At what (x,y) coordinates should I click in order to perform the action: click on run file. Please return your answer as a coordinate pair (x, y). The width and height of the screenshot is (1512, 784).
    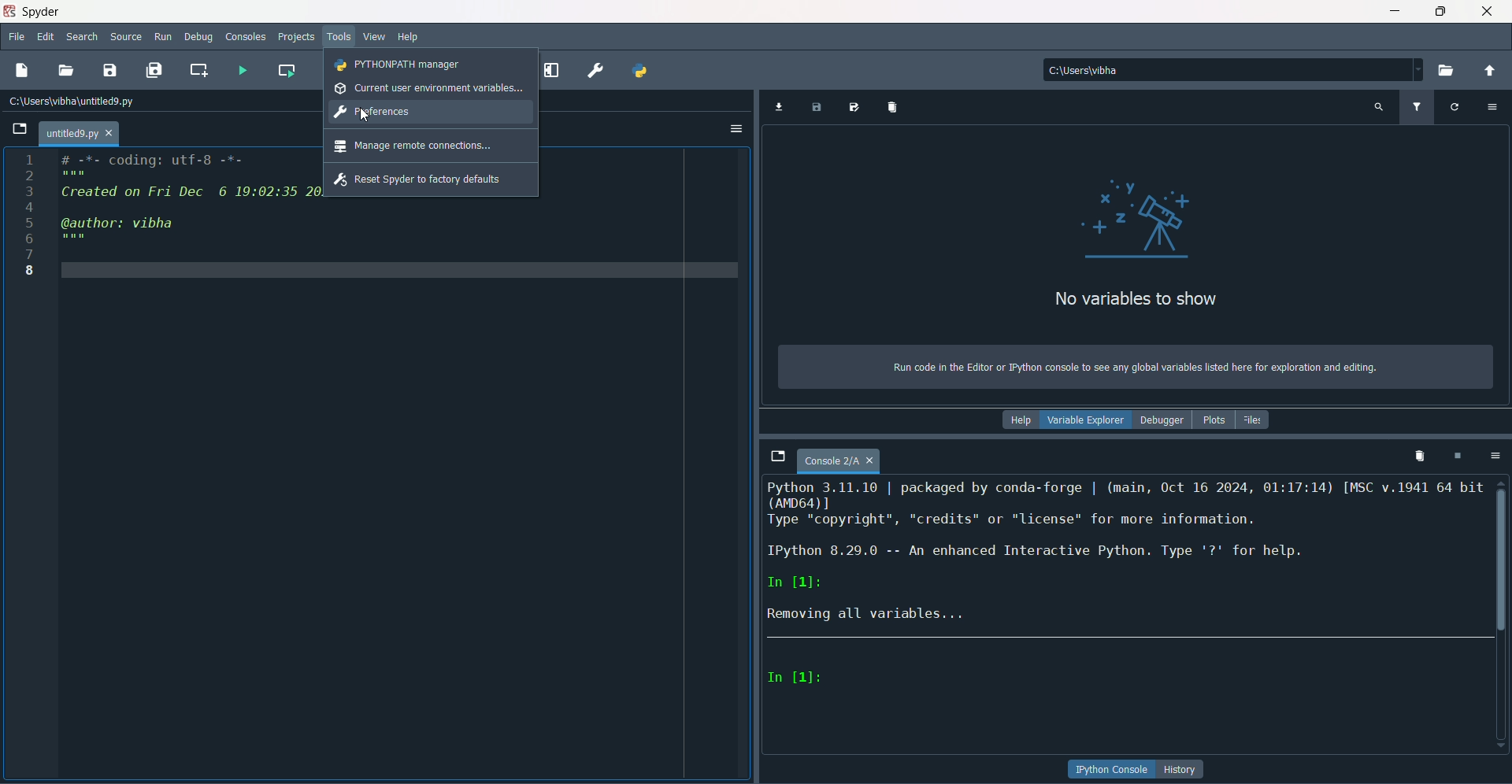
    Looking at the image, I should click on (239, 69).